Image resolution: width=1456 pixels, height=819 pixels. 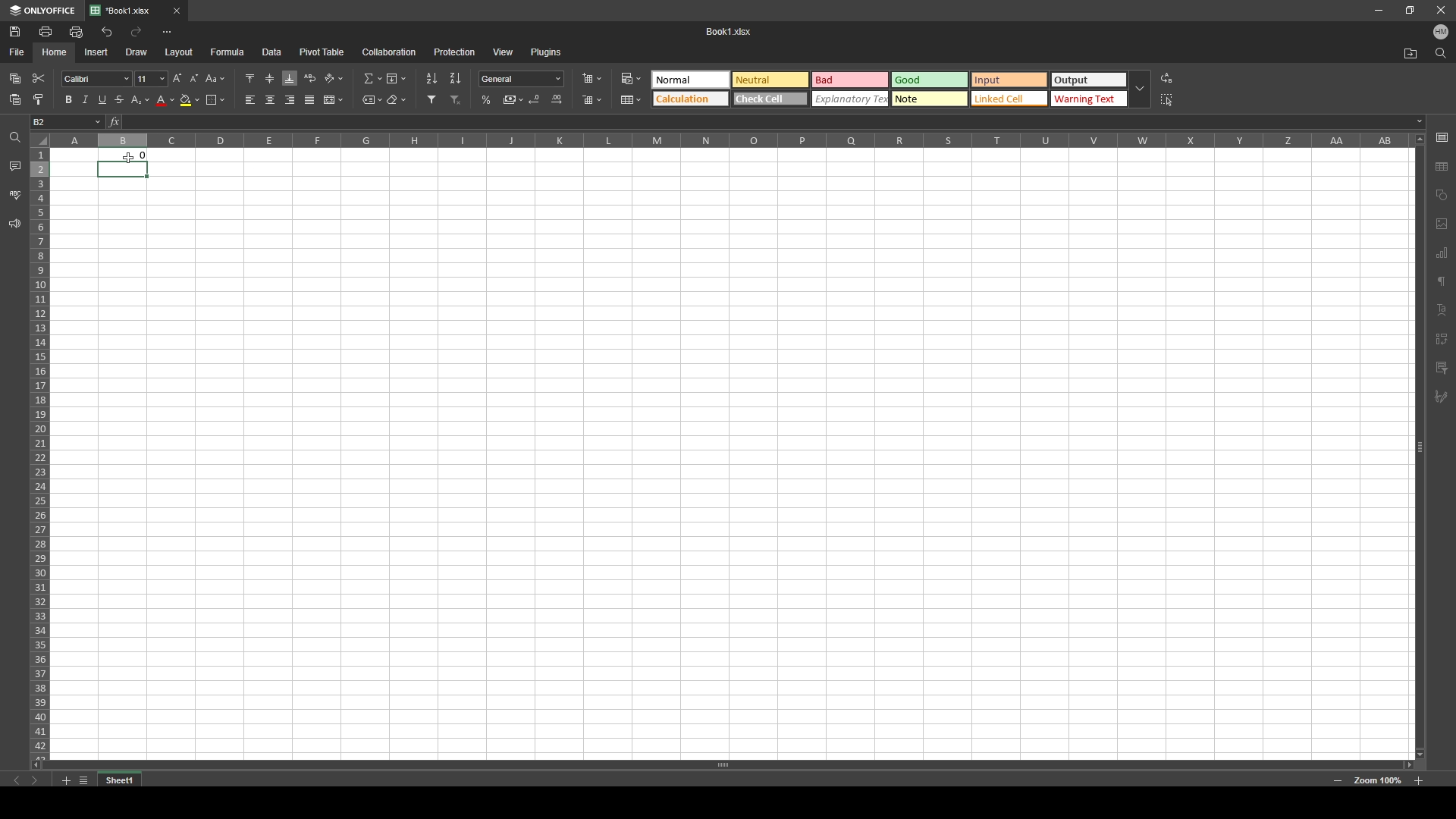 What do you see at coordinates (1377, 781) in the screenshot?
I see `zoom` at bounding box center [1377, 781].